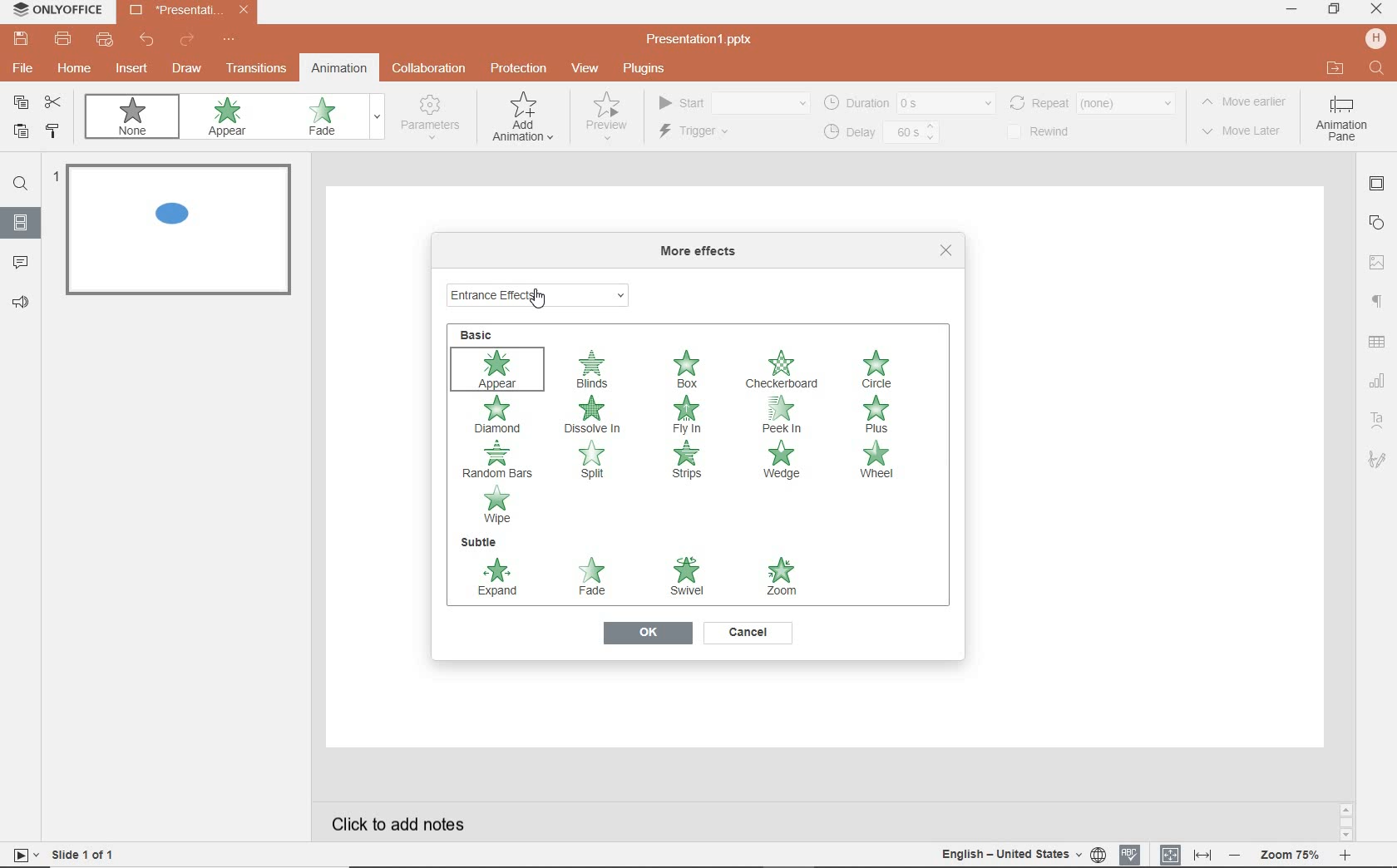  Describe the element at coordinates (402, 819) in the screenshot. I see `click to add notes` at that location.